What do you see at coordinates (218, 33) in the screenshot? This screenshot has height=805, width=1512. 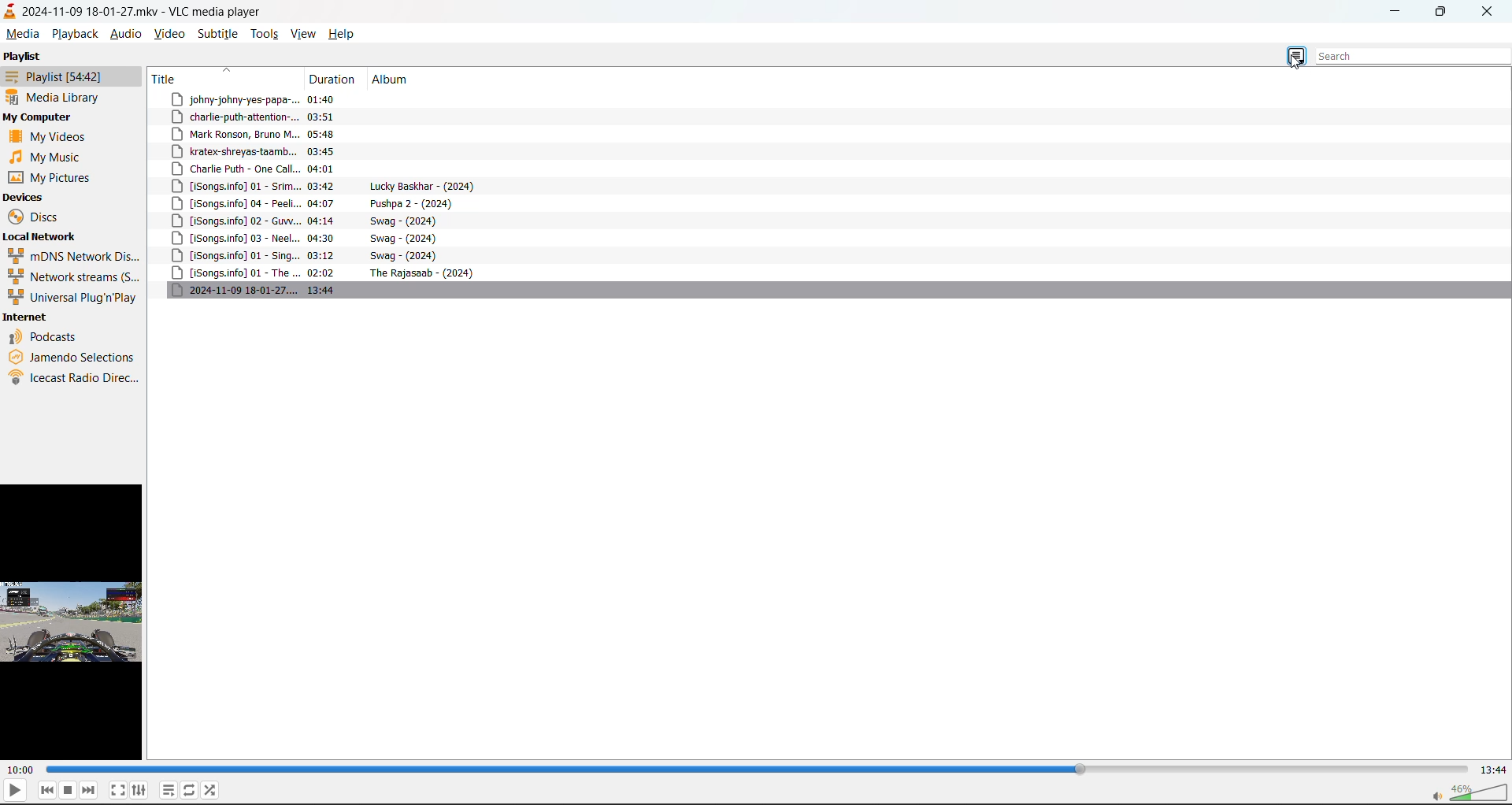 I see `subtitle` at bounding box center [218, 33].